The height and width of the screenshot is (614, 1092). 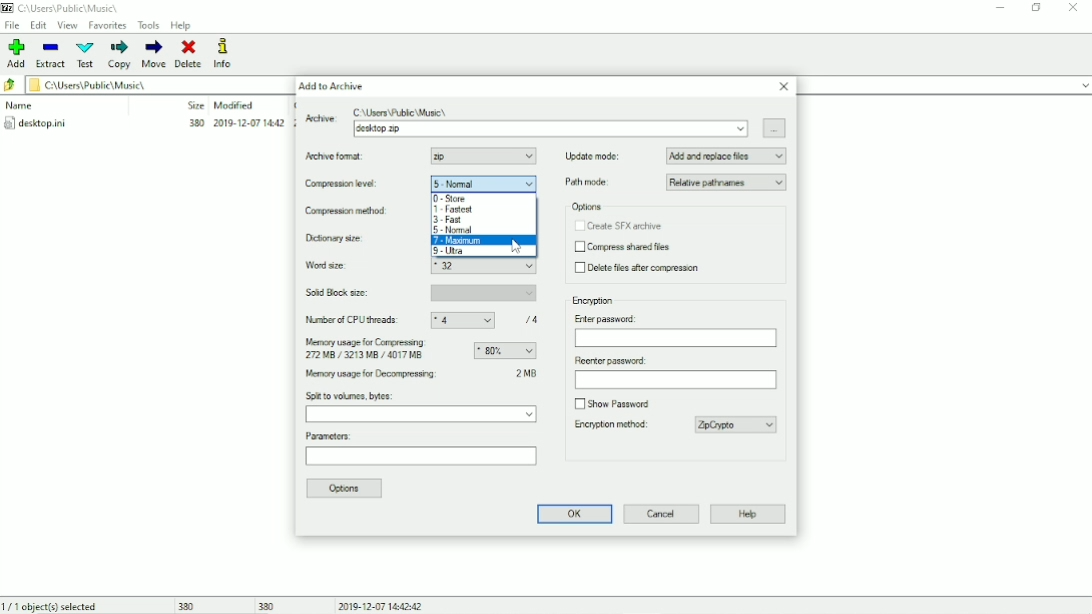 What do you see at coordinates (354, 239) in the screenshot?
I see `Dictionary size` at bounding box center [354, 239].